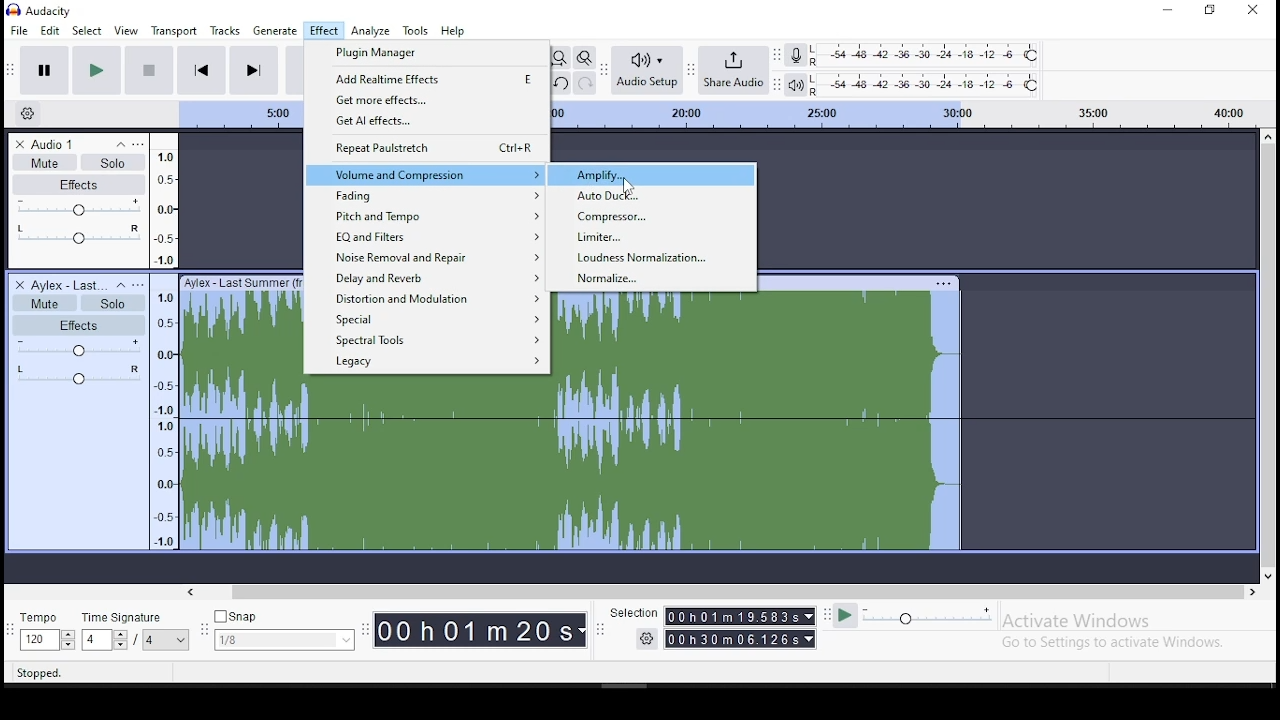 The width and height of the screenshot is (1280, 720). I want to click on stop, so click(149, 69).